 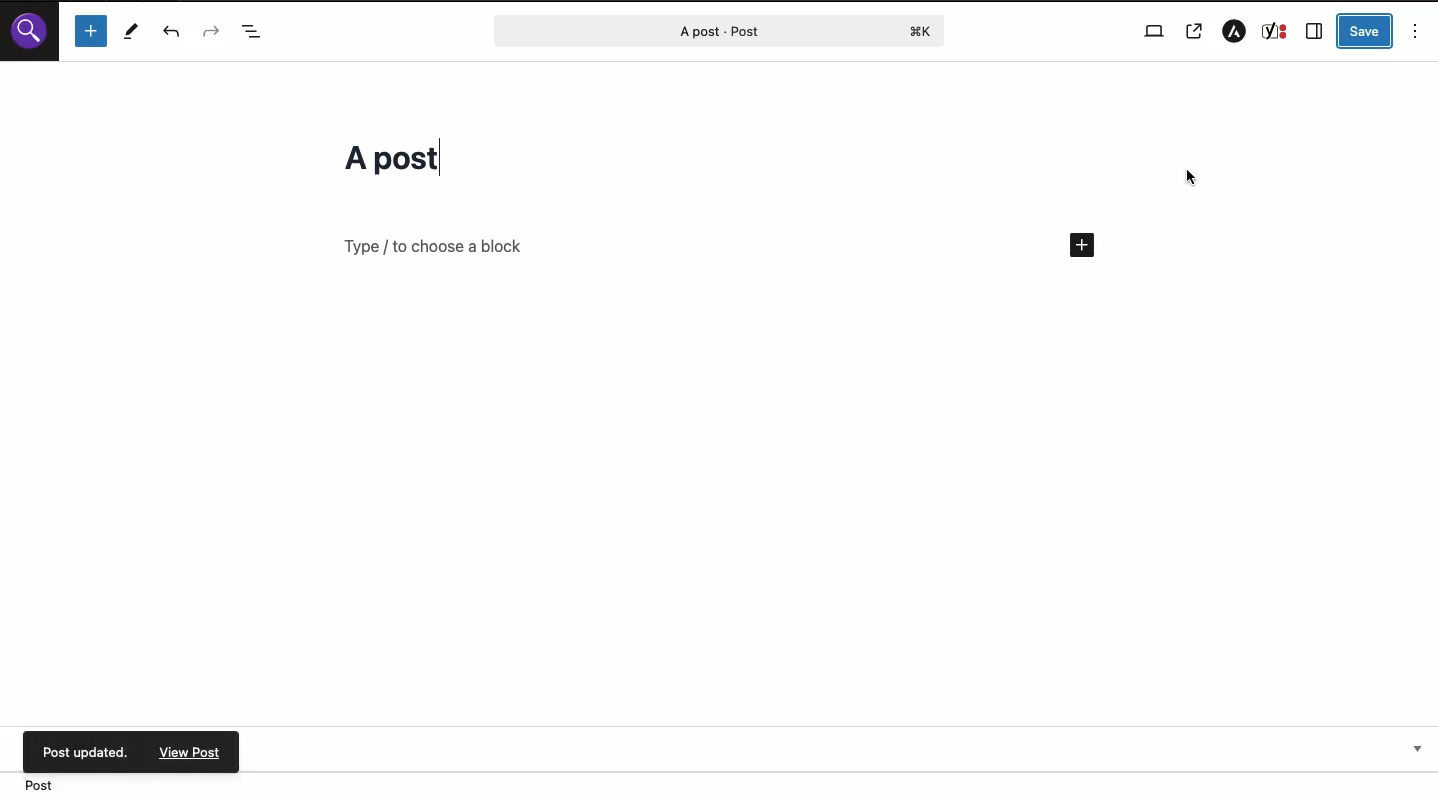 I want to click on View post, so click(x=1197, y=31).